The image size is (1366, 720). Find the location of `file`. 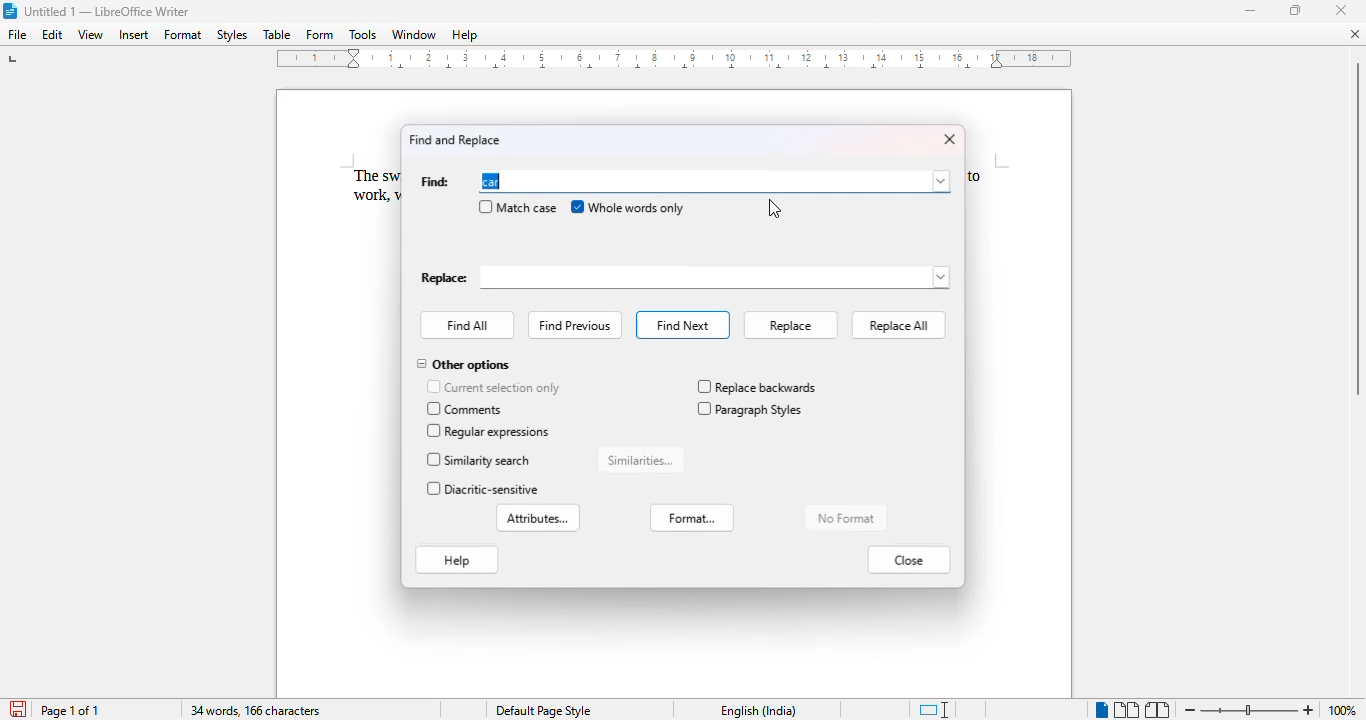

file is located at coordinates (18, 34).